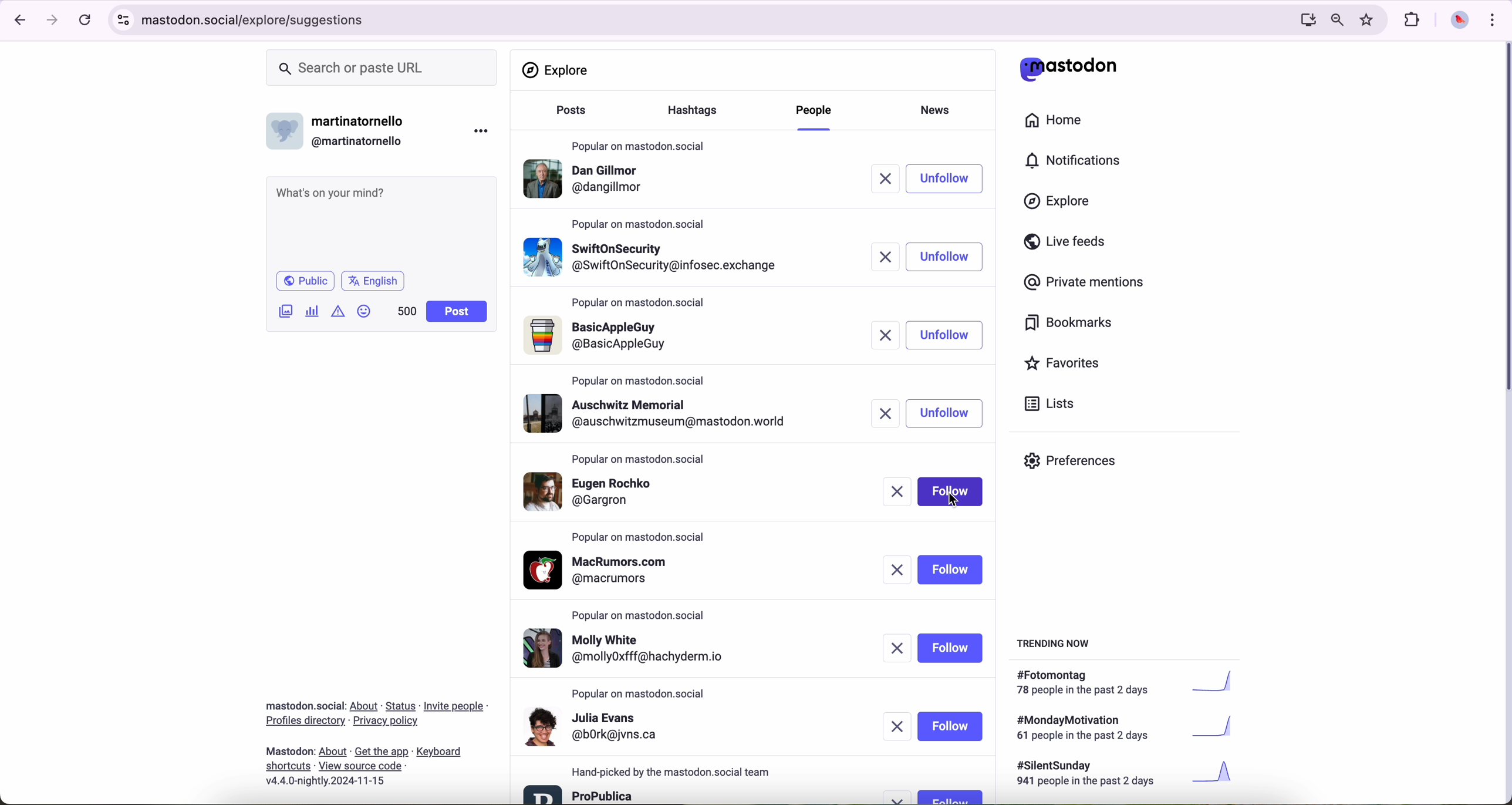 The width and height of the screenshot is (1512, 805). Describe the element at coordinates (1123, 727) in the screenshot. I see `#mondaymotivation` at that location.